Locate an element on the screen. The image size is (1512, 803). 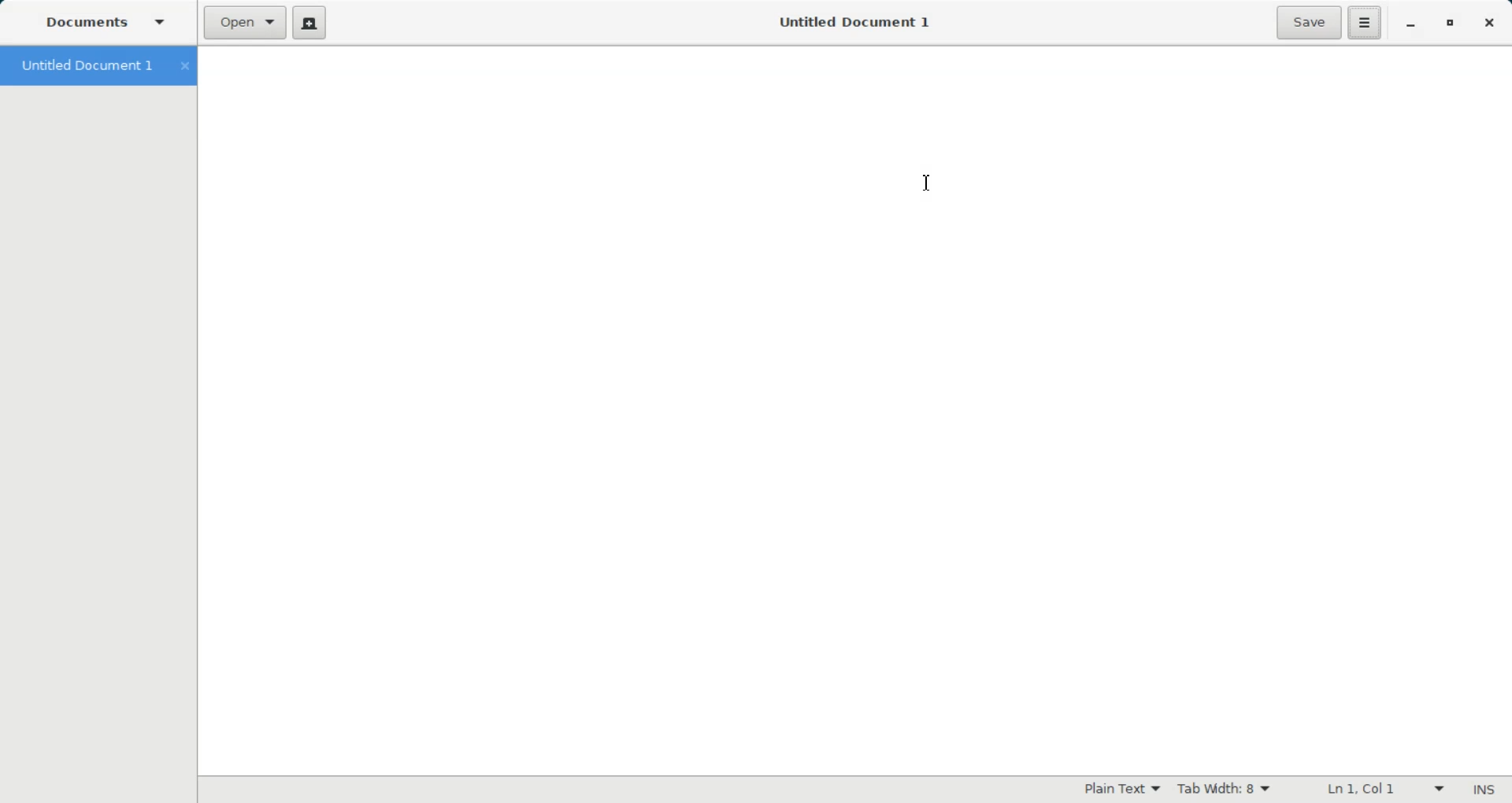
Line Column is located at coordinates (1376, 790).